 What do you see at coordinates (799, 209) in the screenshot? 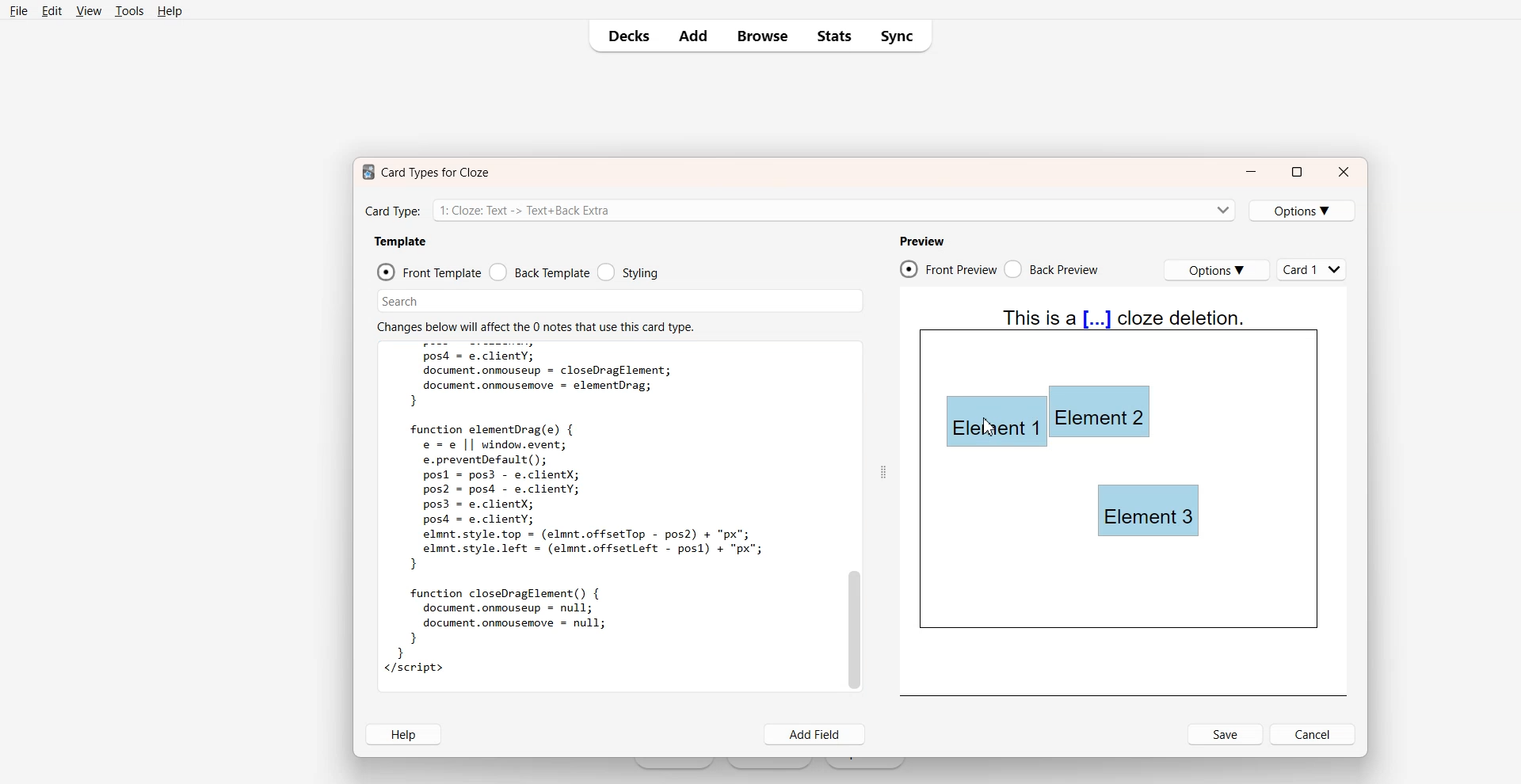
I see `Card Type` at bounding box center [799, 209].